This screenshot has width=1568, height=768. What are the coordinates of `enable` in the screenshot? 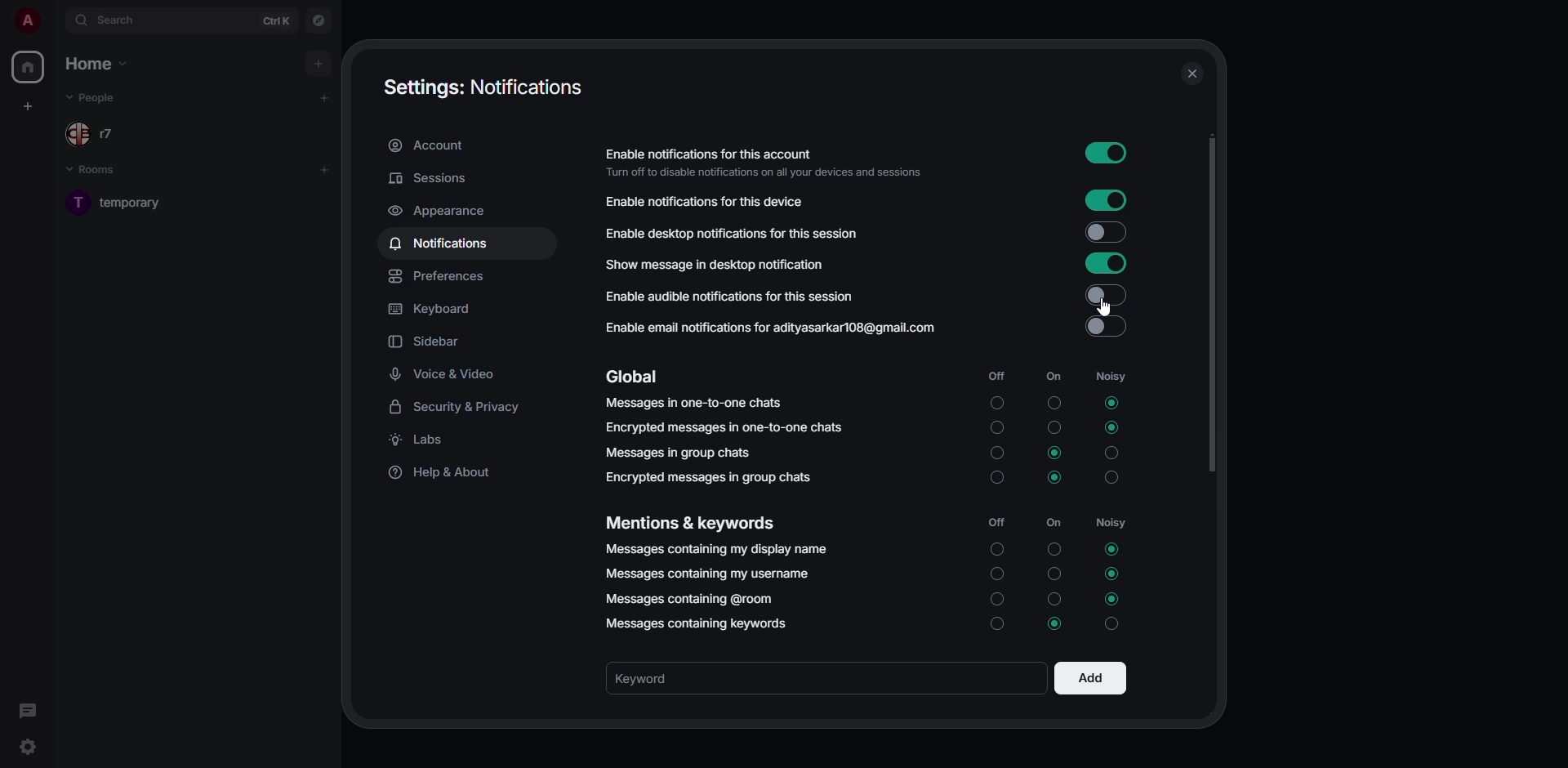 It's located at (1104, 152).